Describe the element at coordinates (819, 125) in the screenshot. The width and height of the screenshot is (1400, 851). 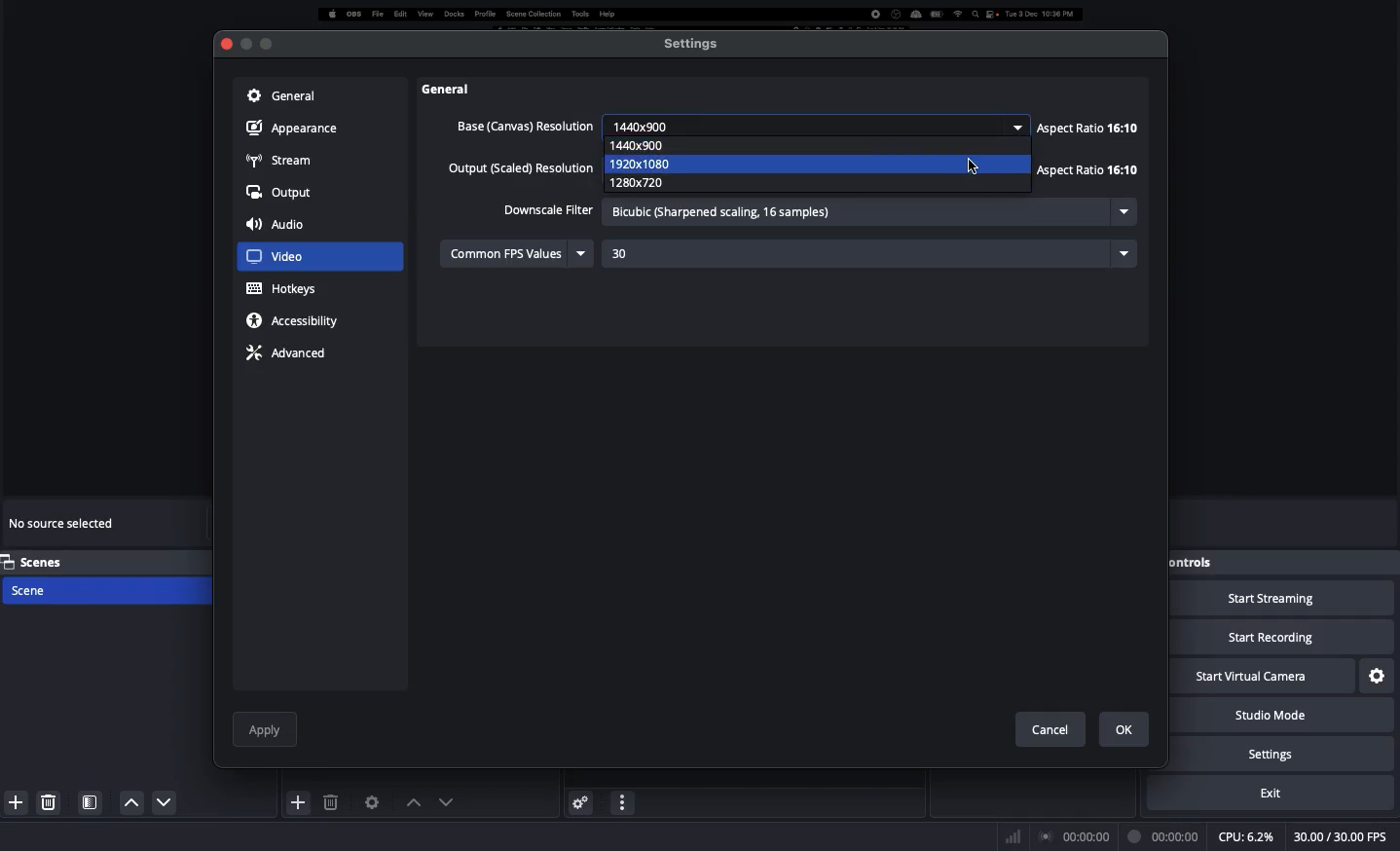
I see `1440x900 ` at that location.